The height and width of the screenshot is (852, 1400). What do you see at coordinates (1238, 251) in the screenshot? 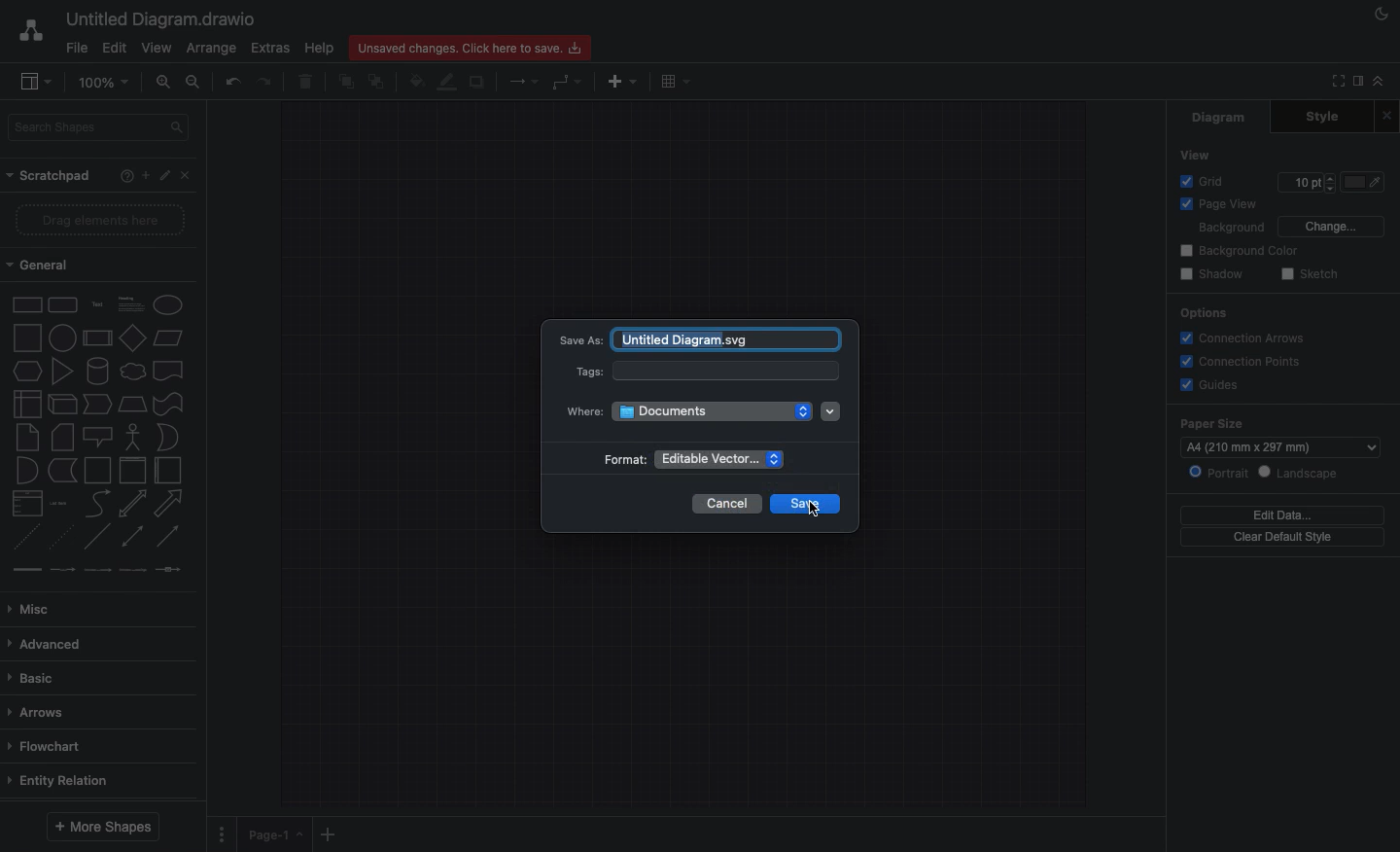
I see `Background color` at bounding box center [1238, 251].